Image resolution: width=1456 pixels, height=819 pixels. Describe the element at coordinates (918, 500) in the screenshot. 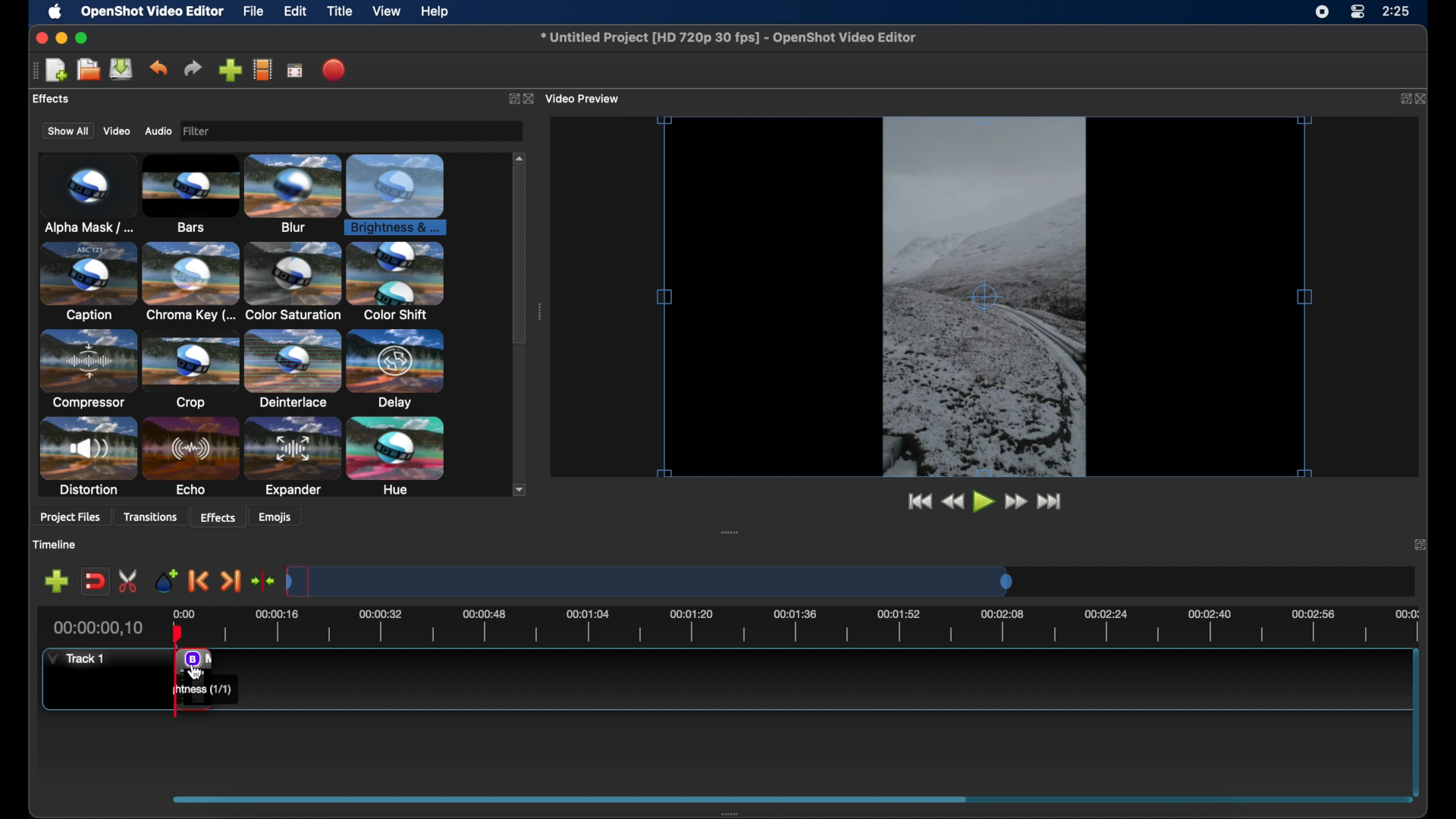

I see `jump to  start` at that location.